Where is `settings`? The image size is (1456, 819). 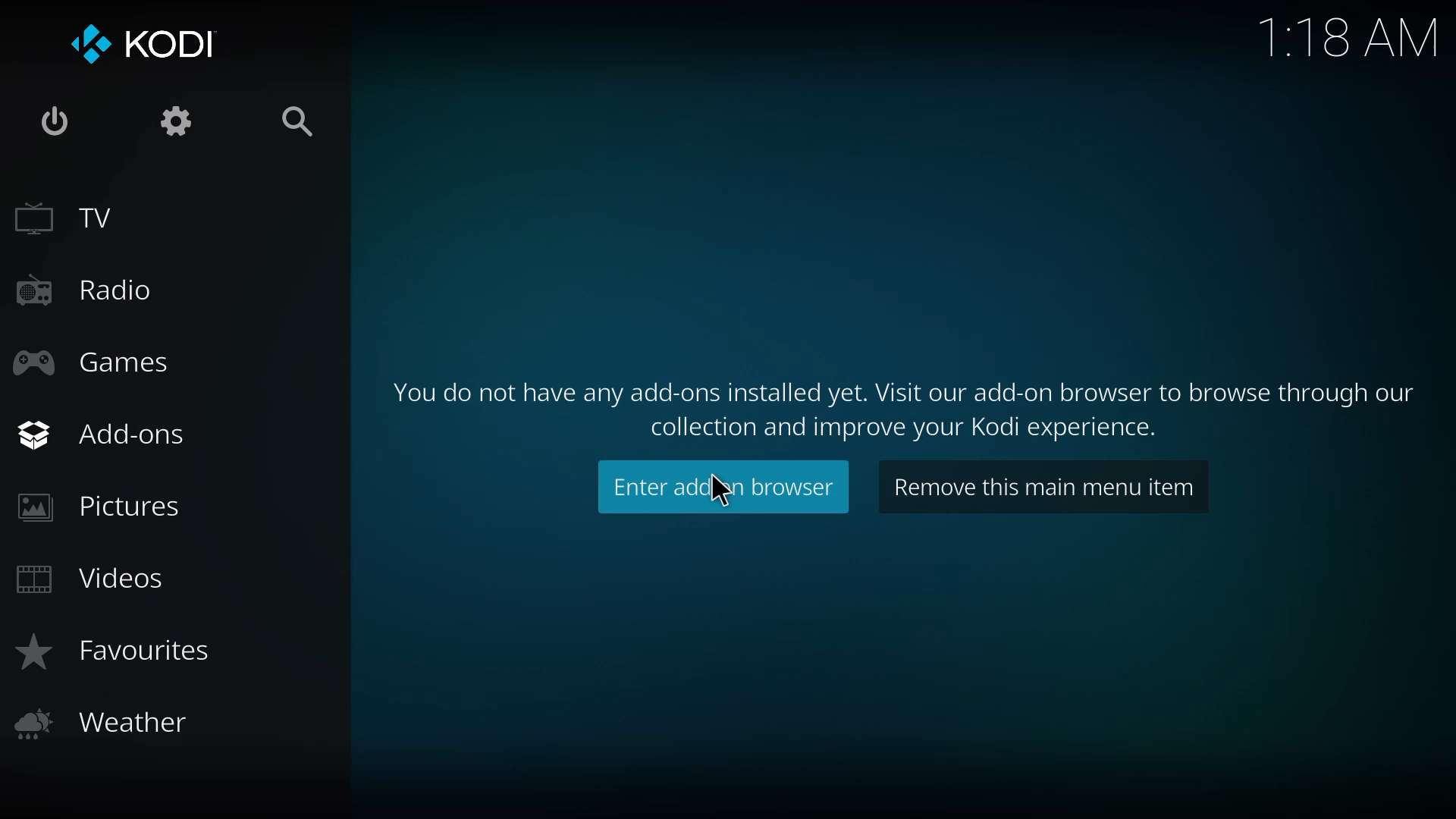
settings is located at coordinates (179, 129).